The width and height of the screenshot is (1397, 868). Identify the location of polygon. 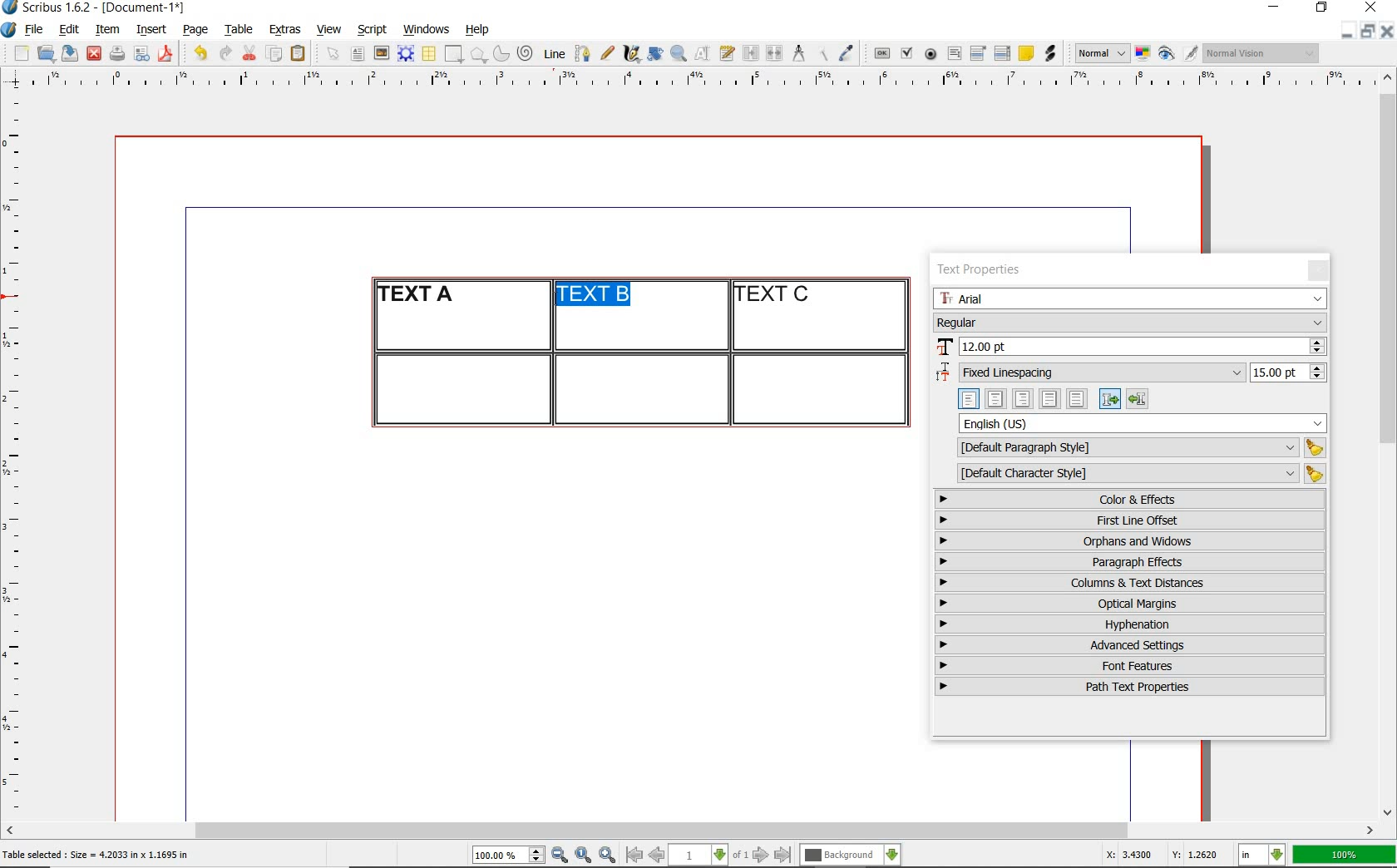
(478, 54).